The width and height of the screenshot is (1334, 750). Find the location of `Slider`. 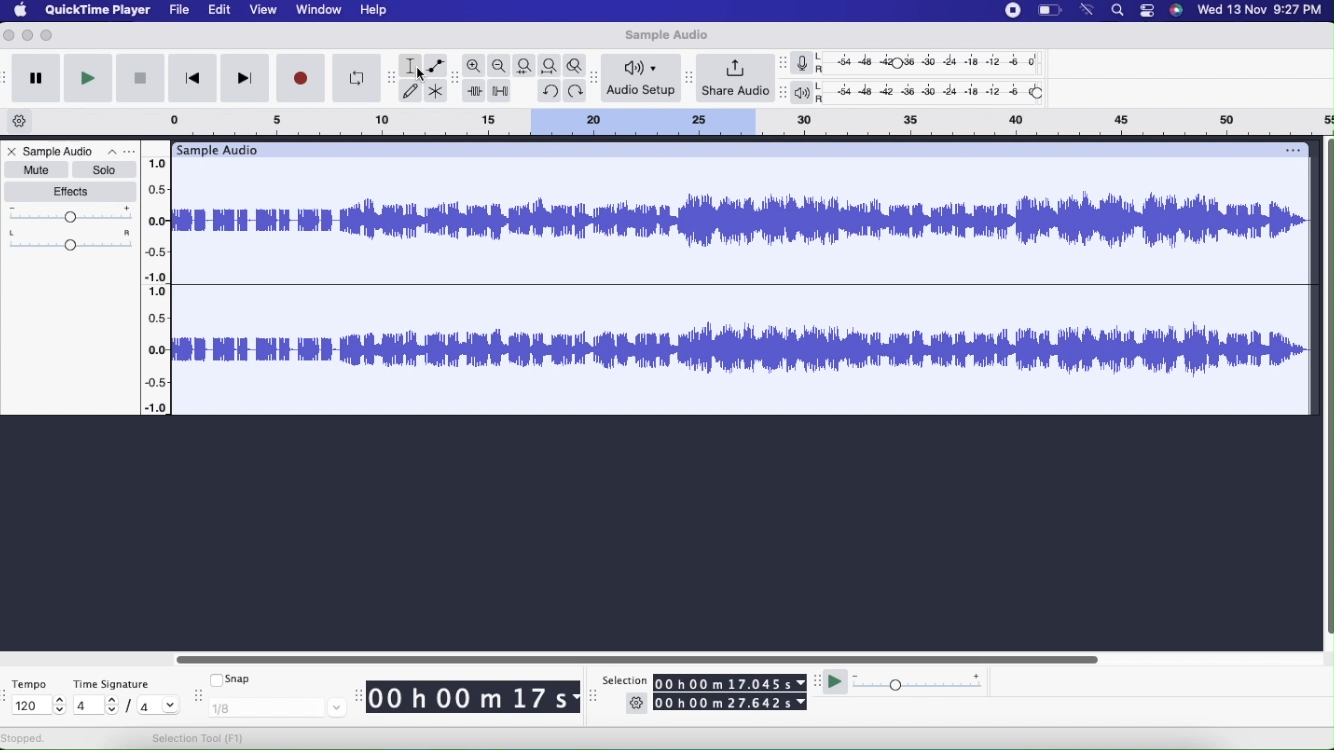

Slider is located at coordinates (161, 279).